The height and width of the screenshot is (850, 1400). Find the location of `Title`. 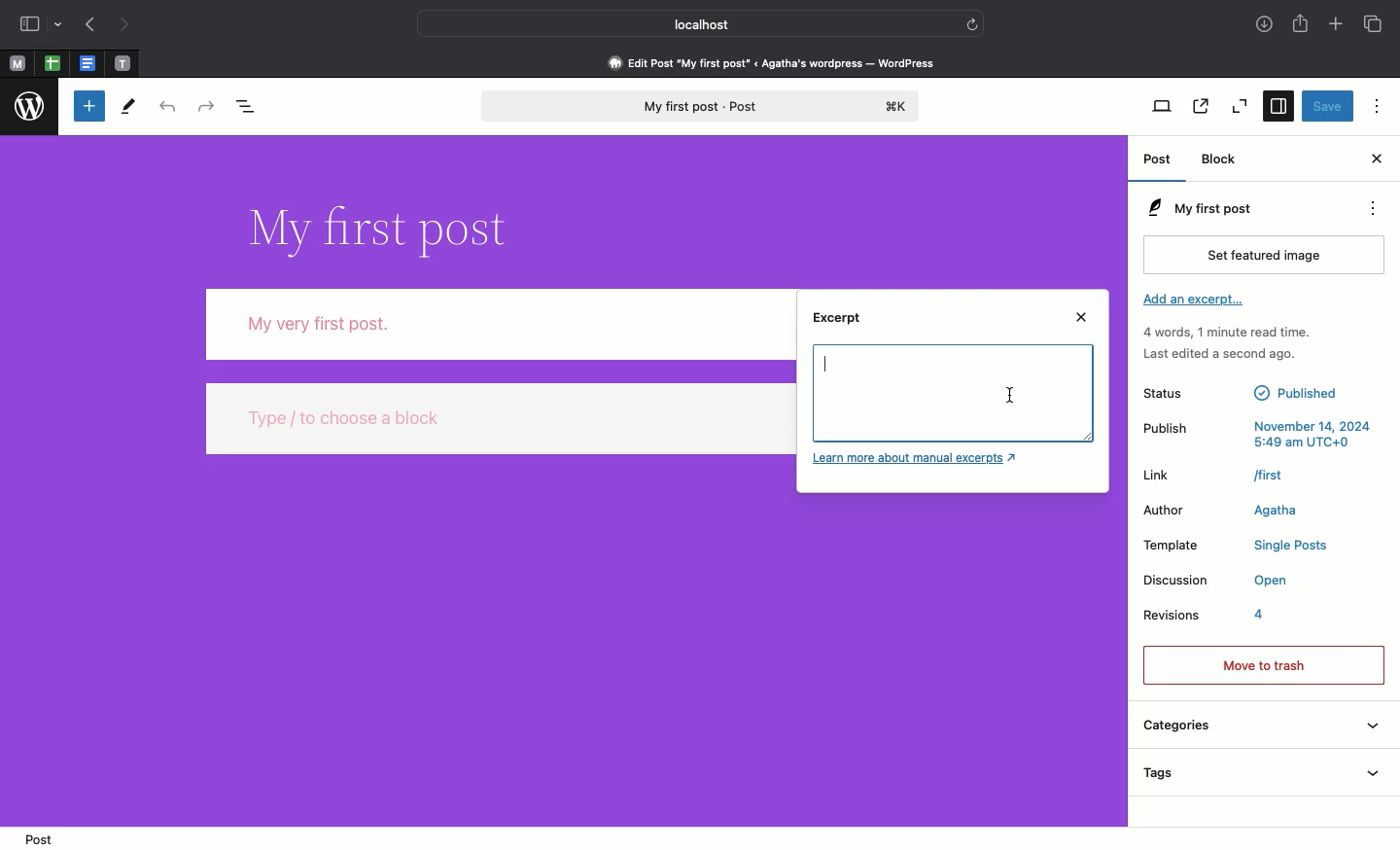

Title is located at coordinates (375, 226).